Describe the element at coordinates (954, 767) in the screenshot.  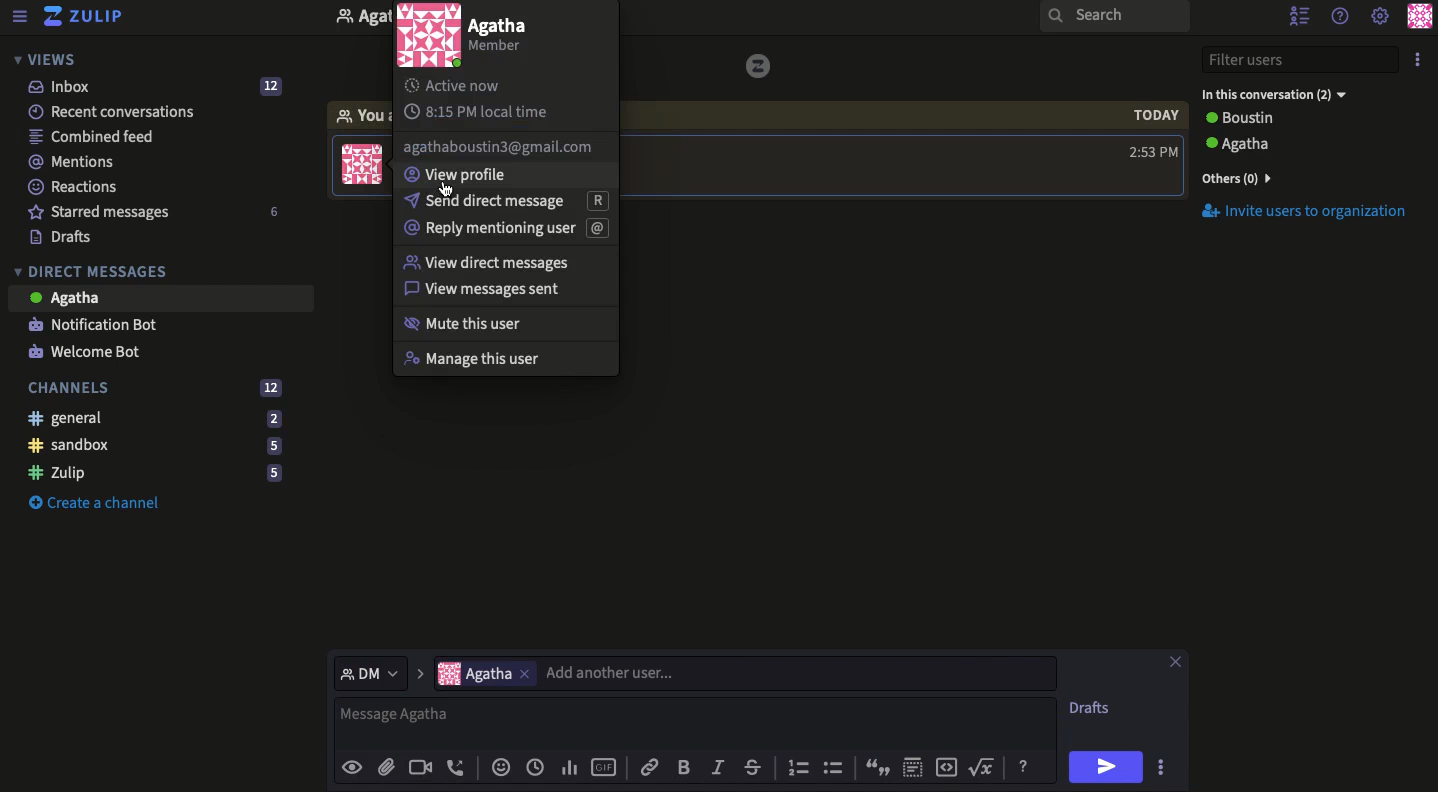
I see `Embed code` at that location.